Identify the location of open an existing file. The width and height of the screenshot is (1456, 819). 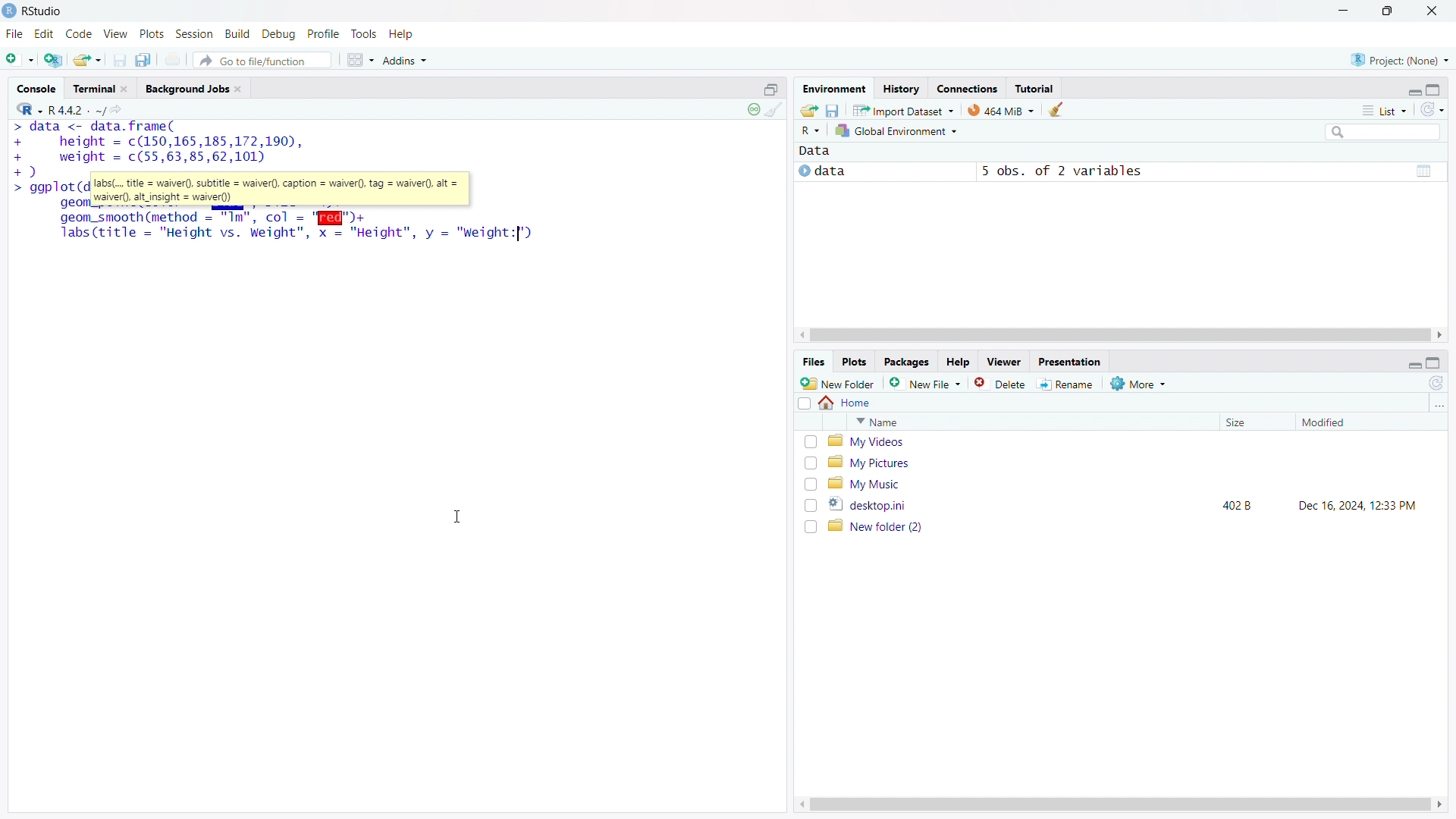
(88, 59).